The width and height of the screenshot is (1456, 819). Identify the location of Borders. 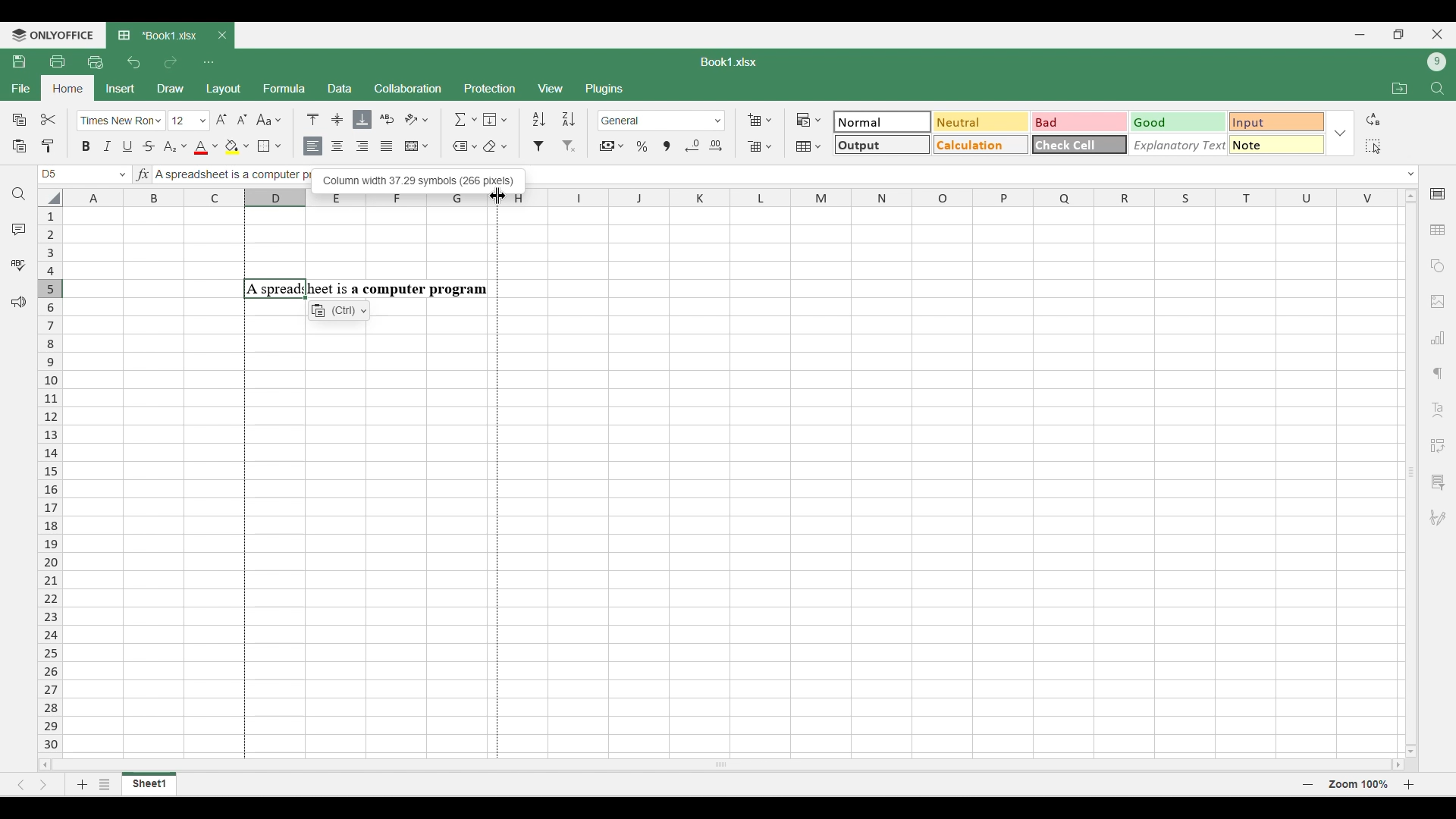
(269, 146).